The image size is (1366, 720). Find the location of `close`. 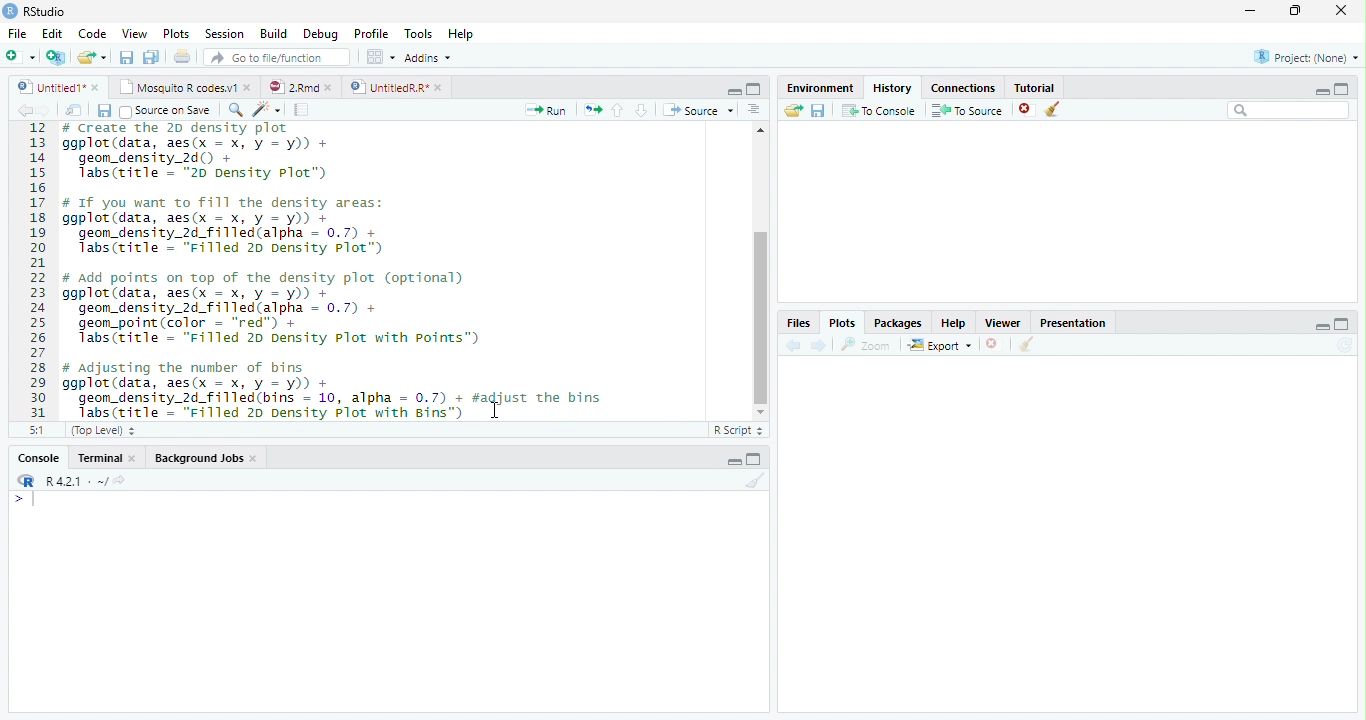

close is located at coordinates (1342, 10).